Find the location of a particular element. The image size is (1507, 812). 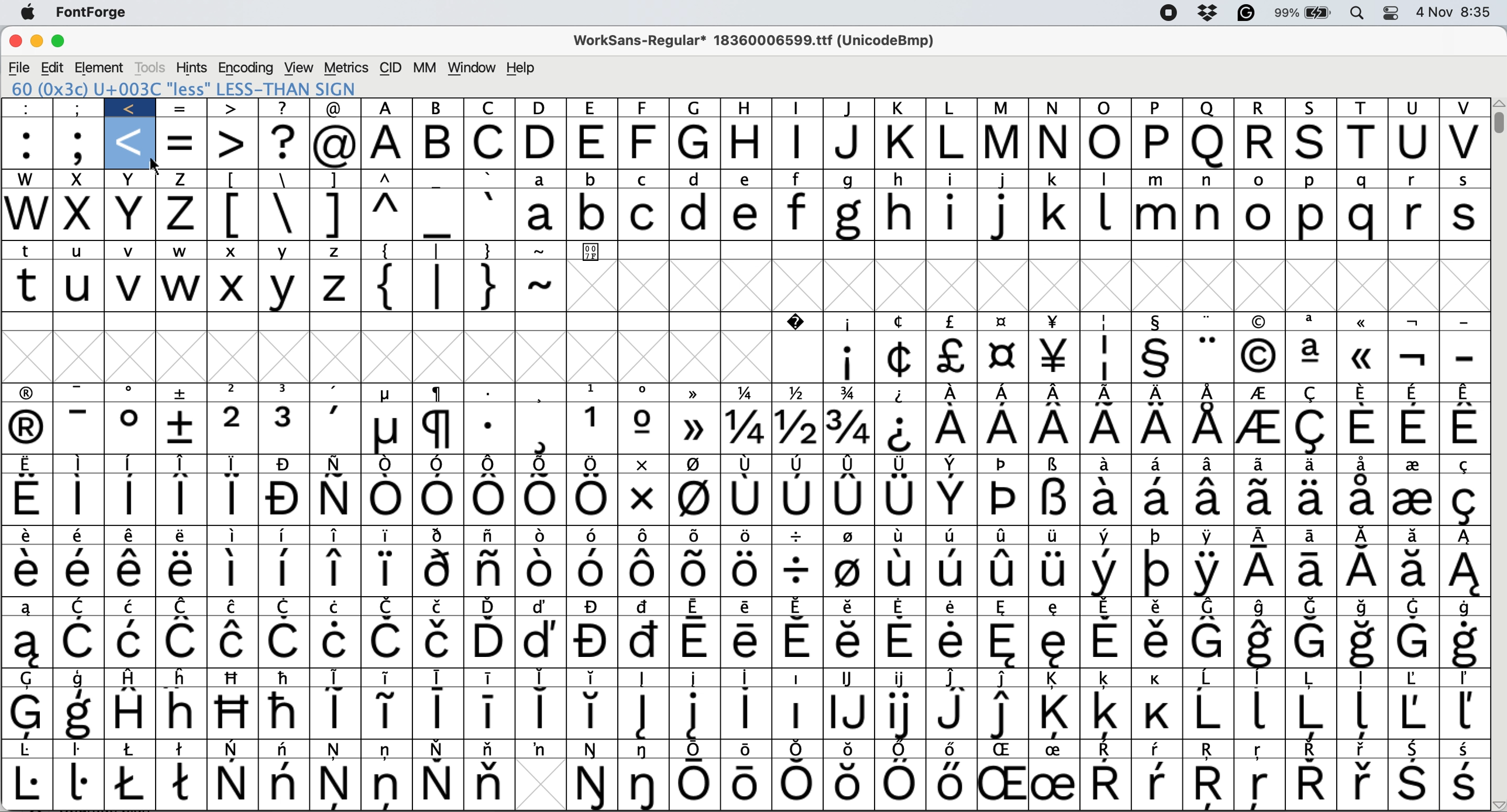

[ is located at coordinates (234, 215).